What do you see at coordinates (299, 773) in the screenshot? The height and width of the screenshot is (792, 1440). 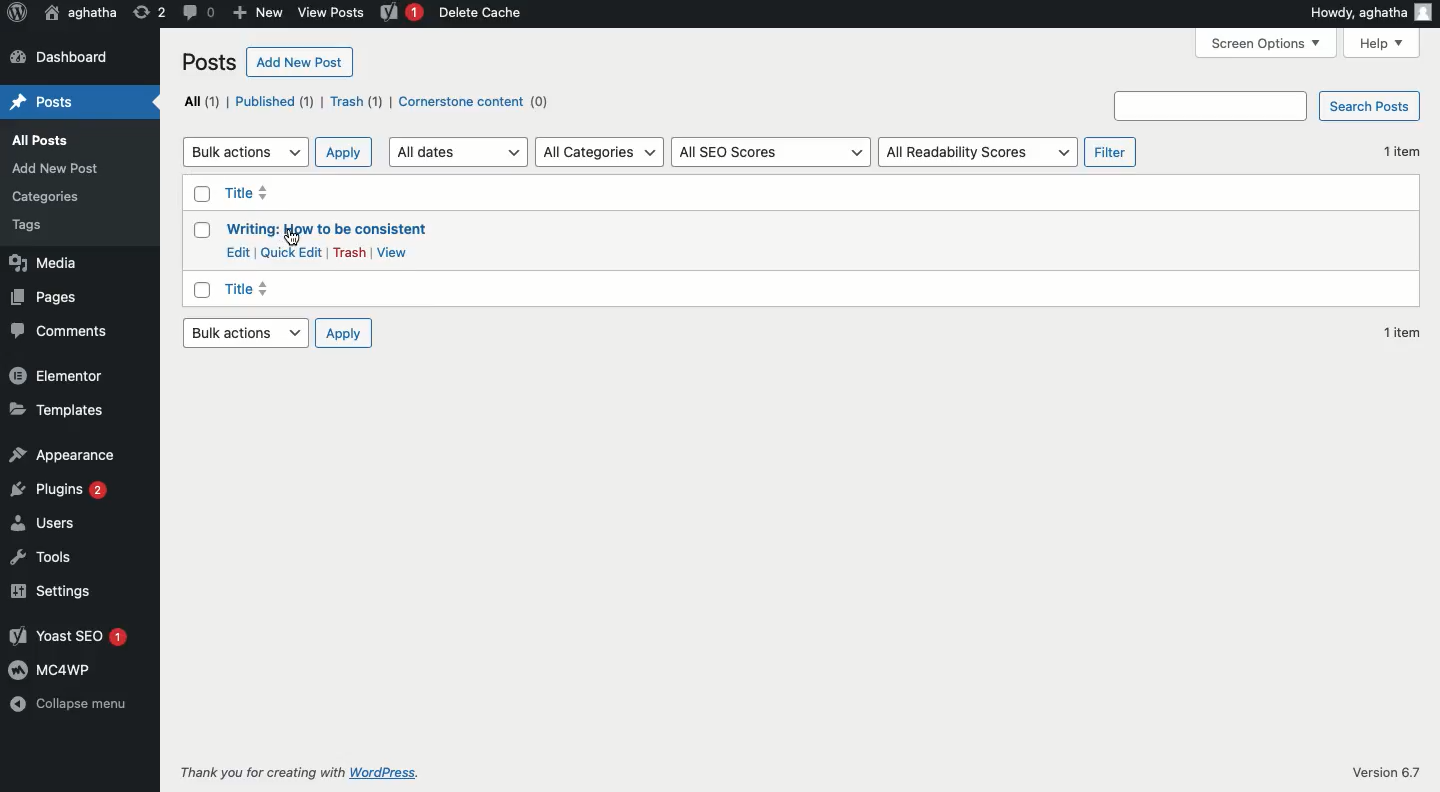 I see `Thank you for creating with WordPress` at bounding box center [299, 773].